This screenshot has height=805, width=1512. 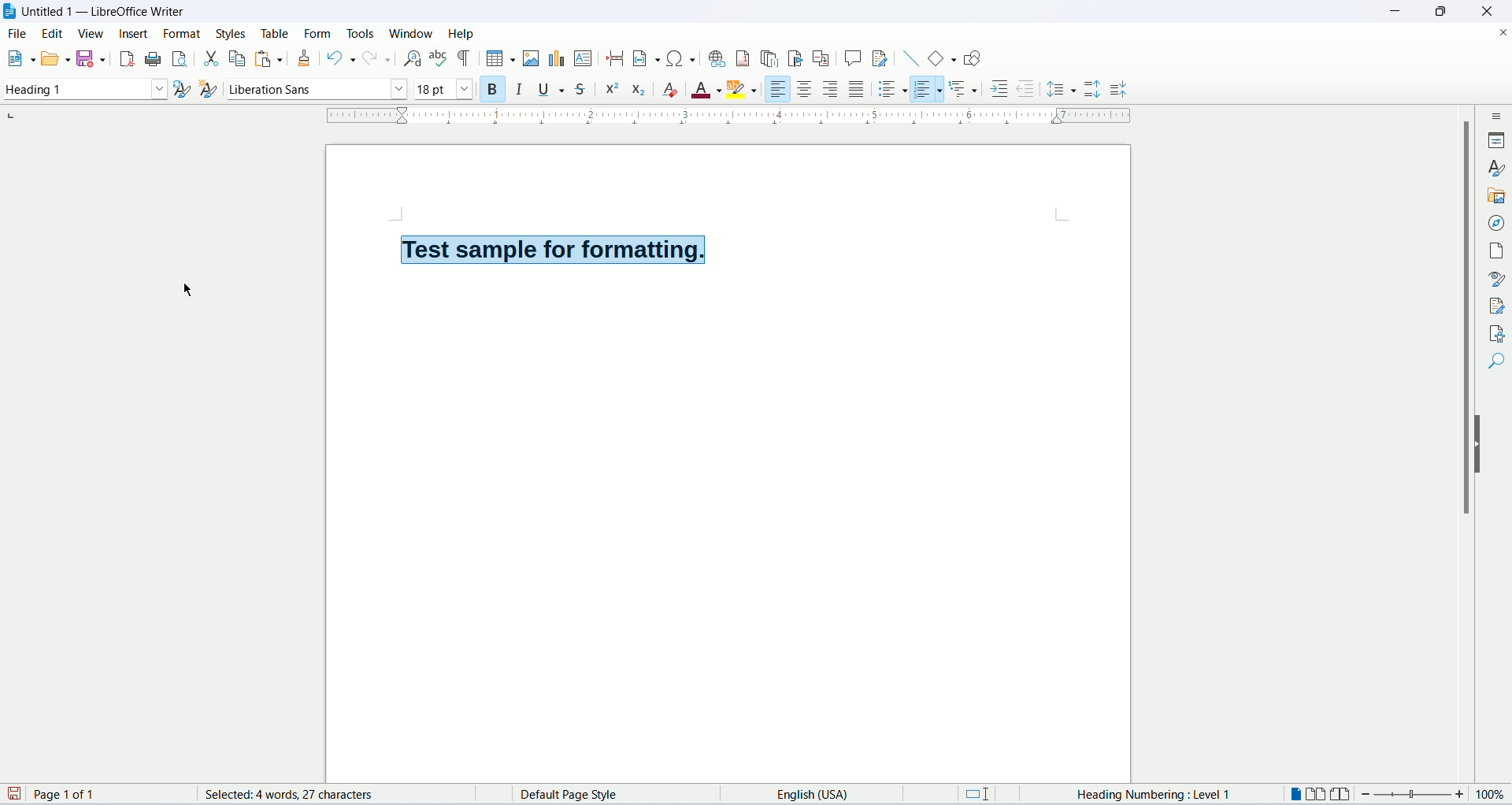 I want to click on format, so click(x=185, y=33).